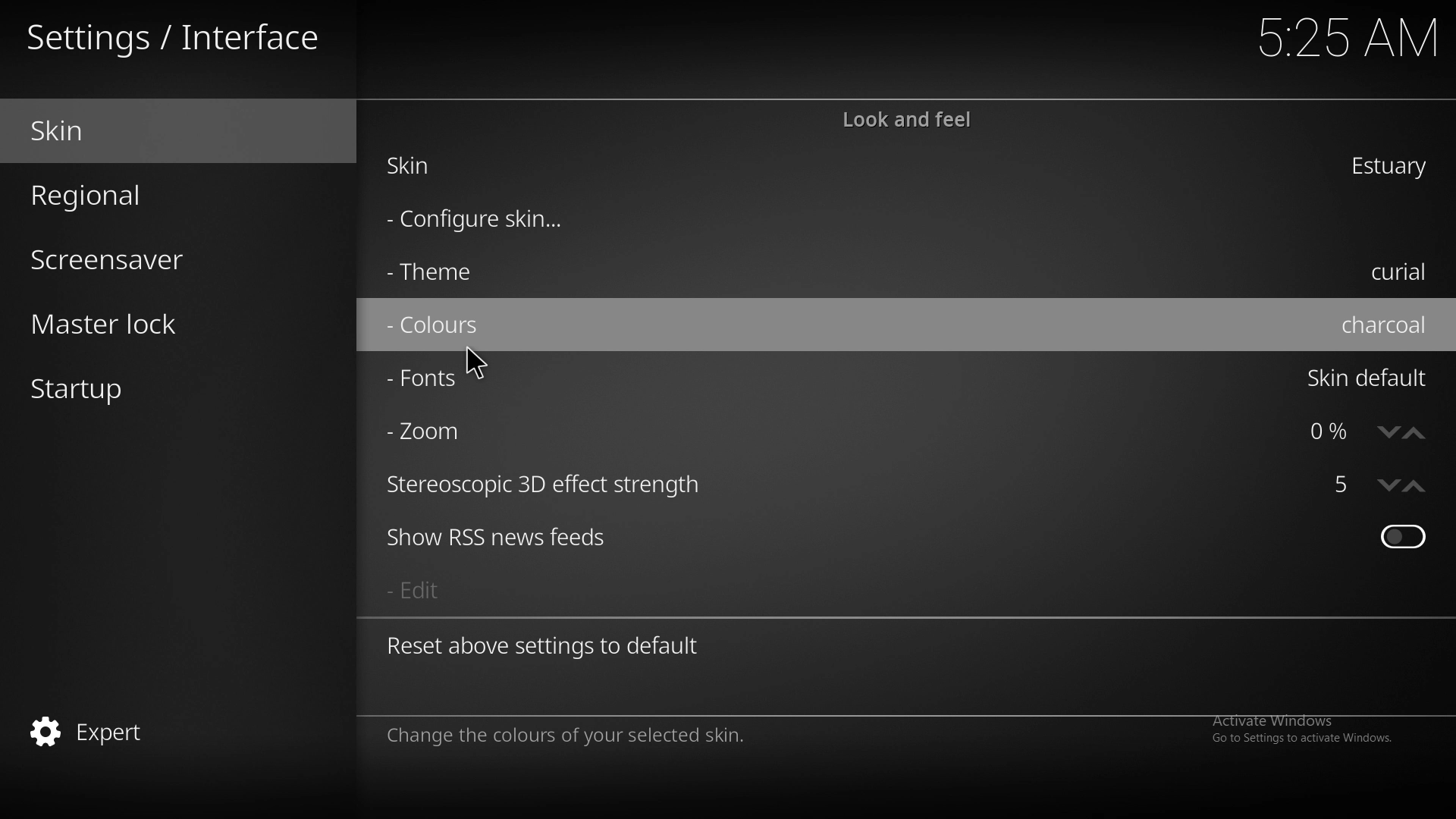  Describe the element at coordinates (128, 133) in the screenshot. I see `skin` at that location.